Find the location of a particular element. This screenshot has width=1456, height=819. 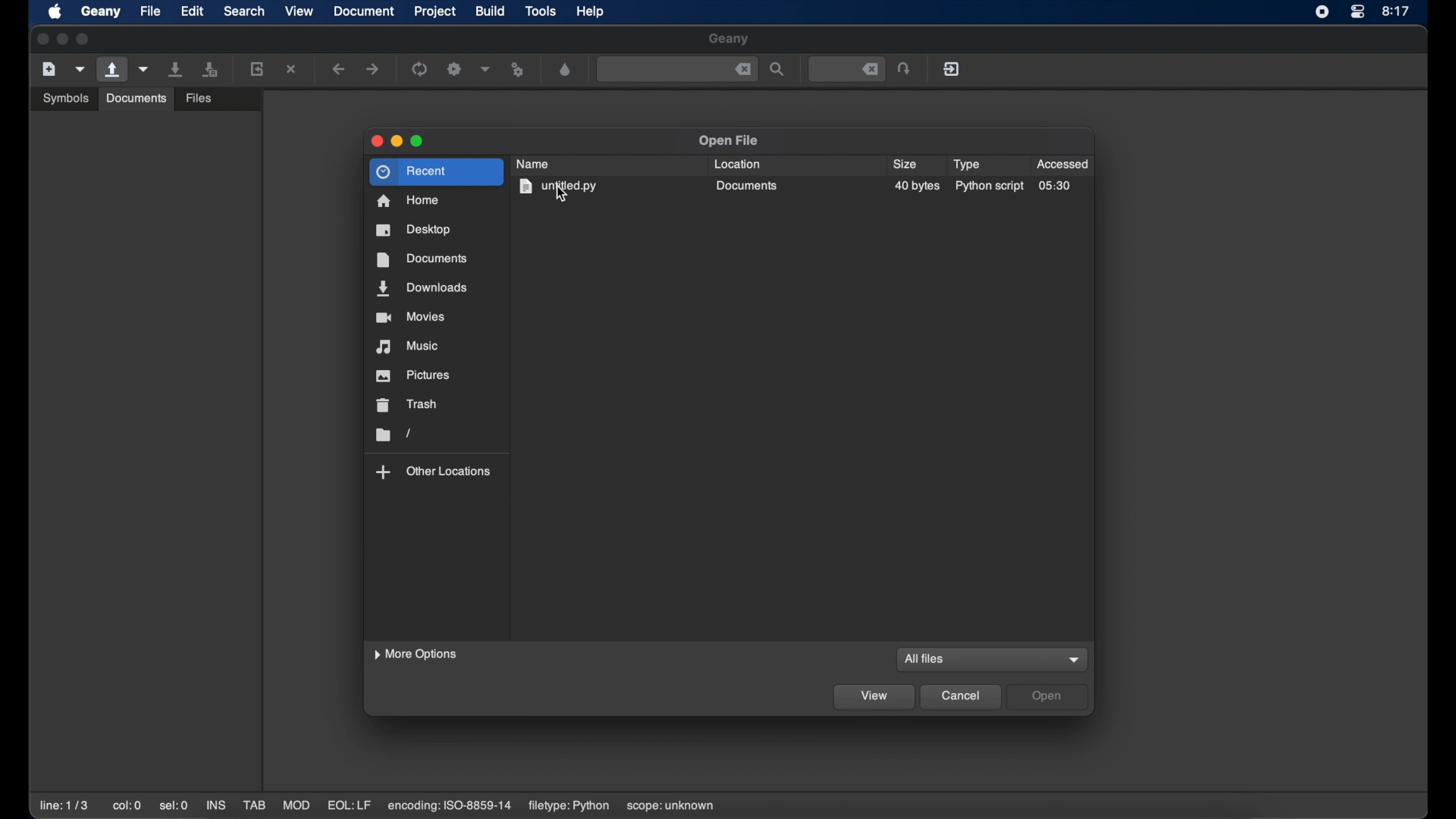

save the current file is located at coordinates (176, 69).